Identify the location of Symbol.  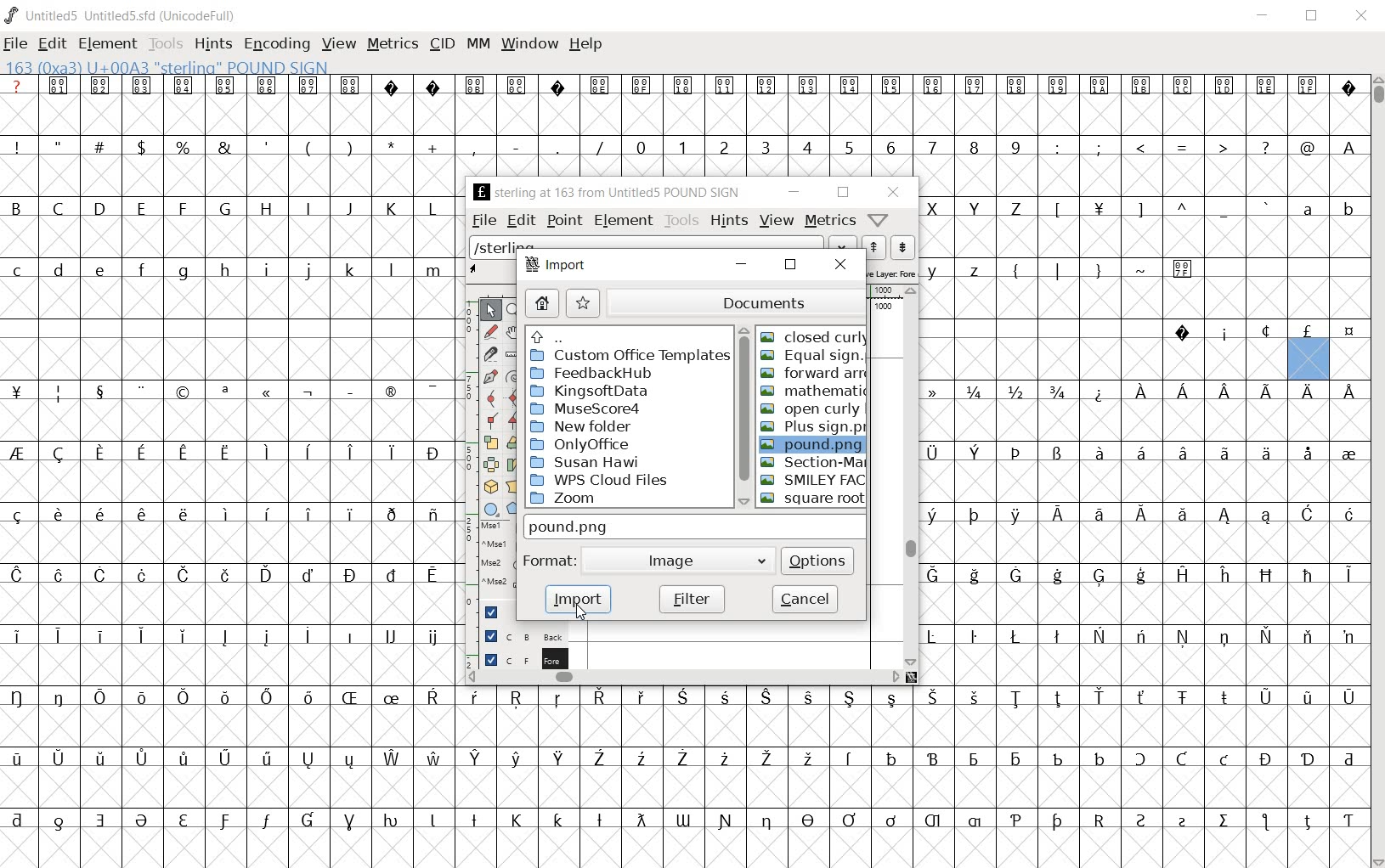
(308, 573).